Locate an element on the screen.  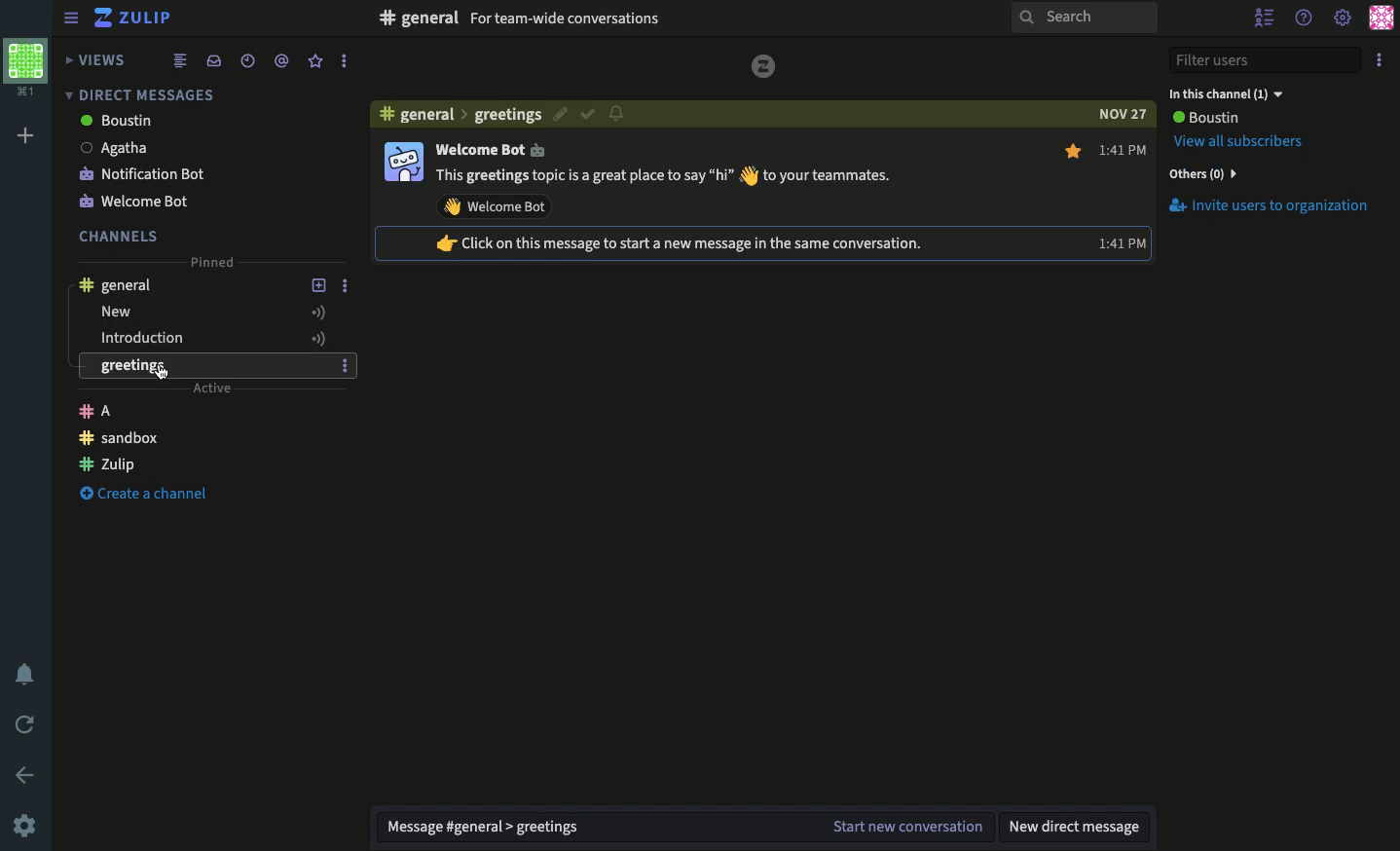
Options is located at coordinates (343, 61).